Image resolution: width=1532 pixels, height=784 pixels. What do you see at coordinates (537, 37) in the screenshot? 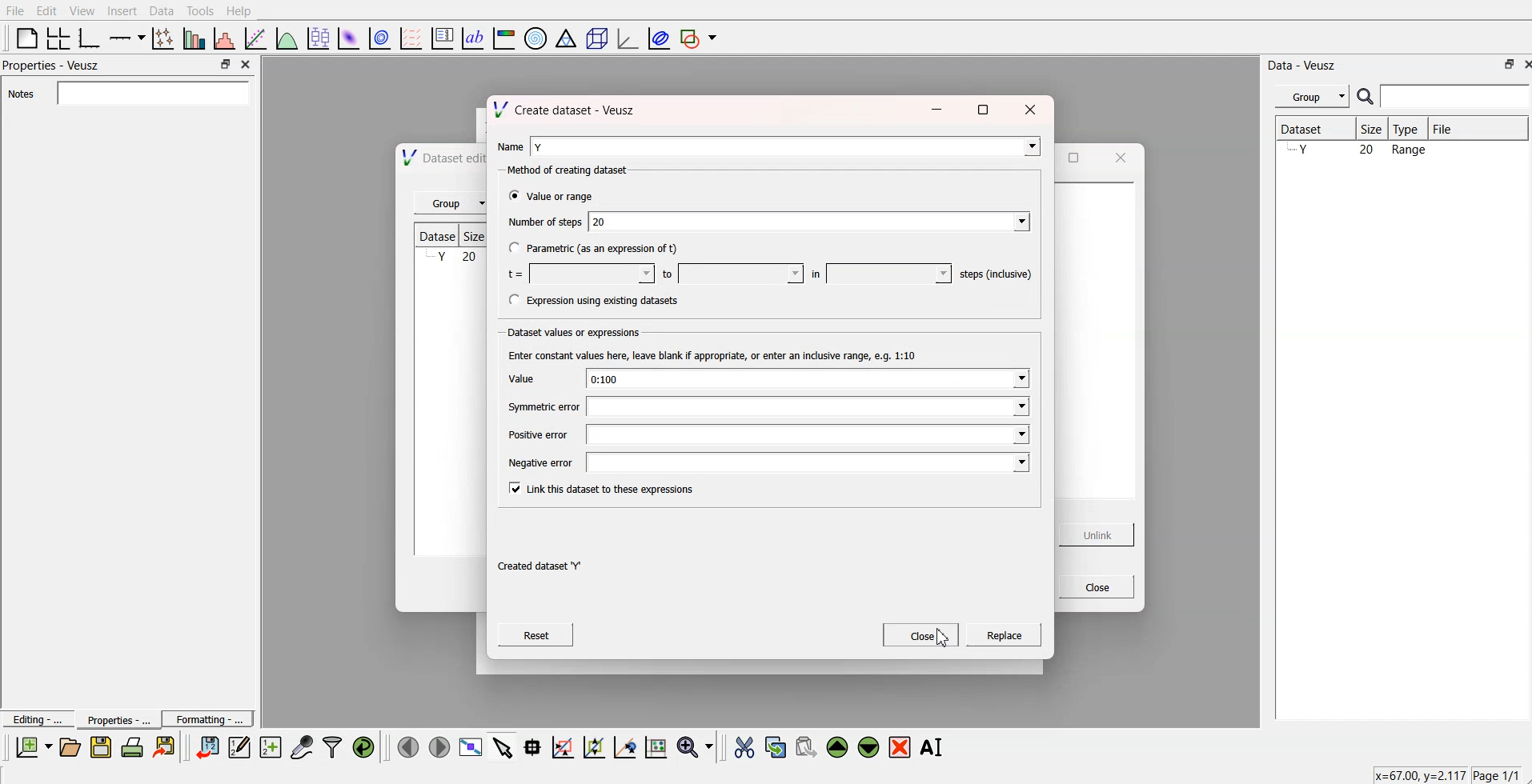
I see `polar graph` at bounding box center [537, 37].